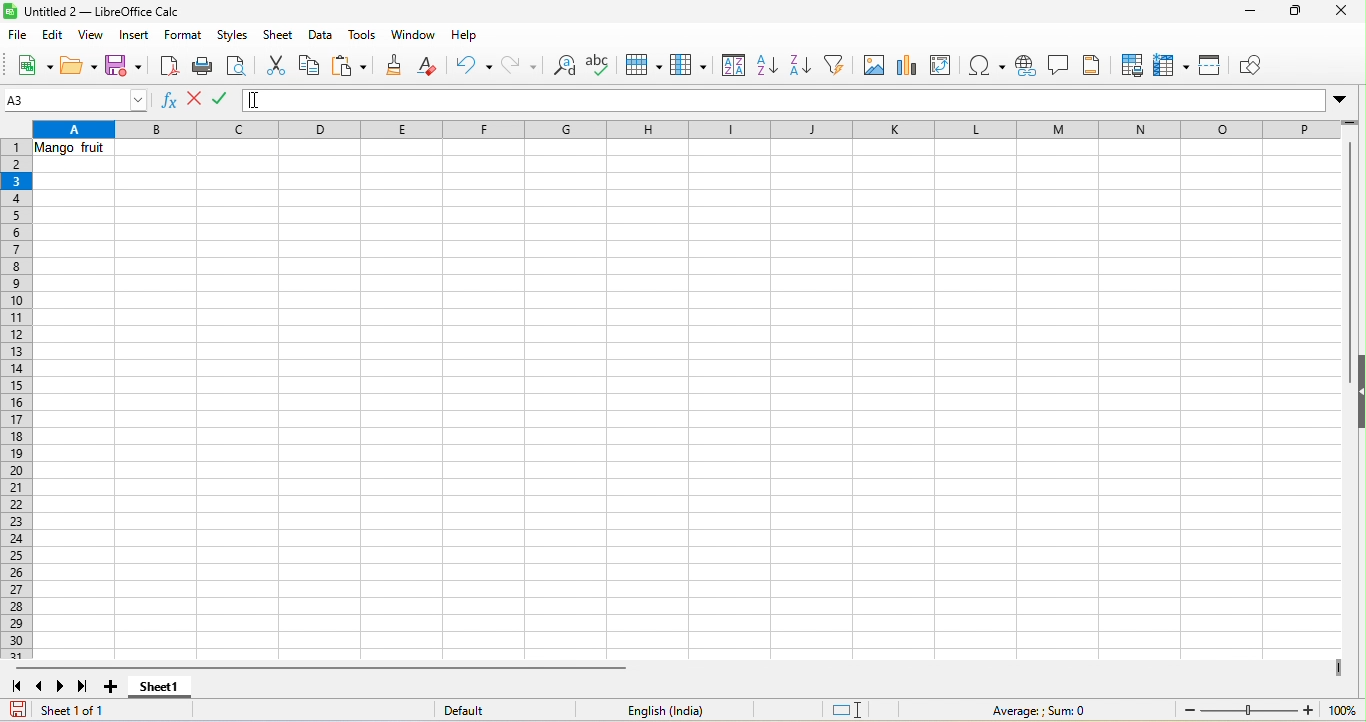 This screenshot has height=722, width=1366. Describe the element at coordinates (321, 36) in the screenshot. I see `data` at that location.